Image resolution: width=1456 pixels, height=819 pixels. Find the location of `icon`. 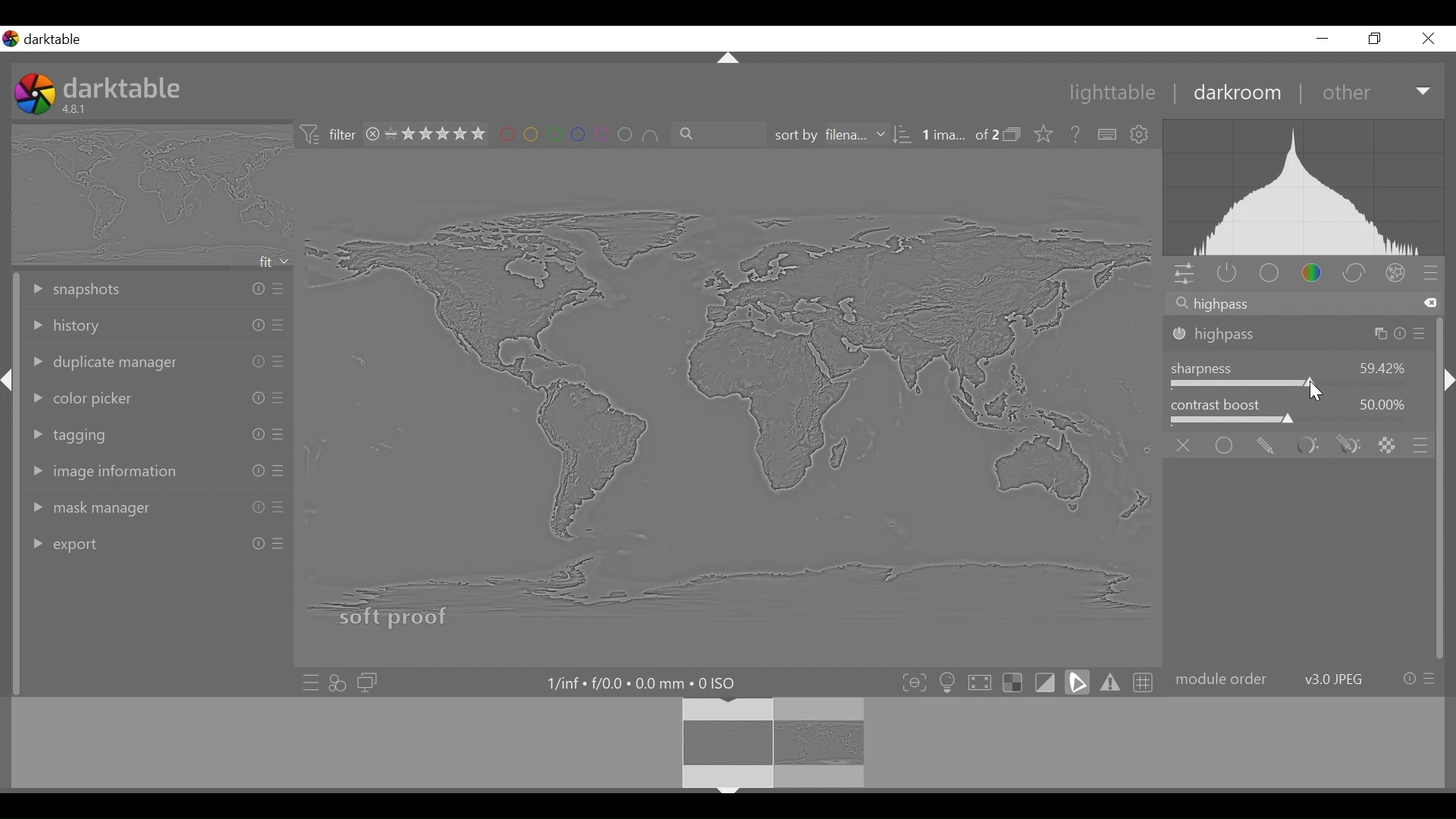

icon is located at coordinates (311, 134).